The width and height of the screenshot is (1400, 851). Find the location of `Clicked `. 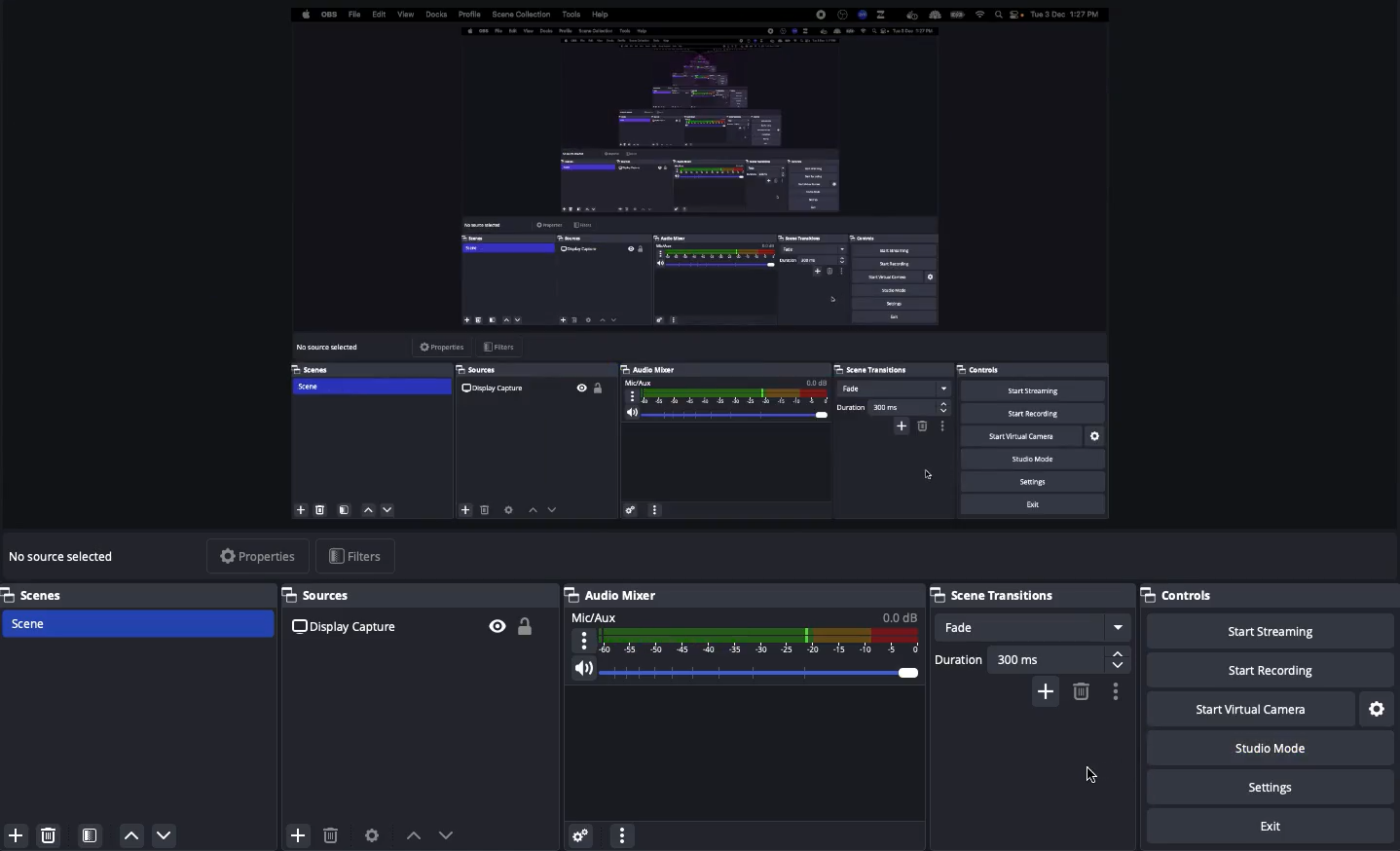

Clicked  is located at coordinates (1092, 775).